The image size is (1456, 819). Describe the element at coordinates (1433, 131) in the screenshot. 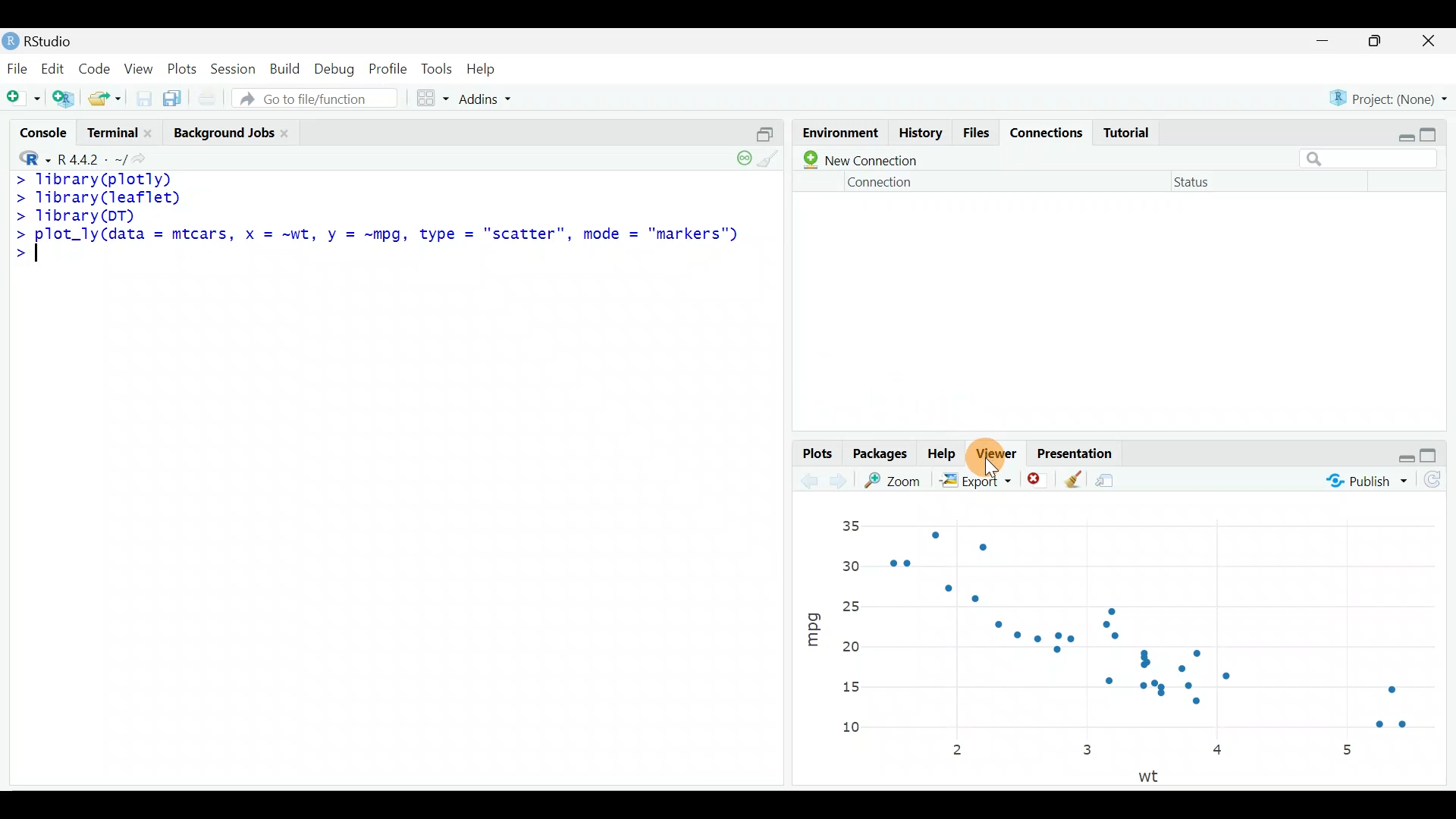

I see `maximize` at that location.